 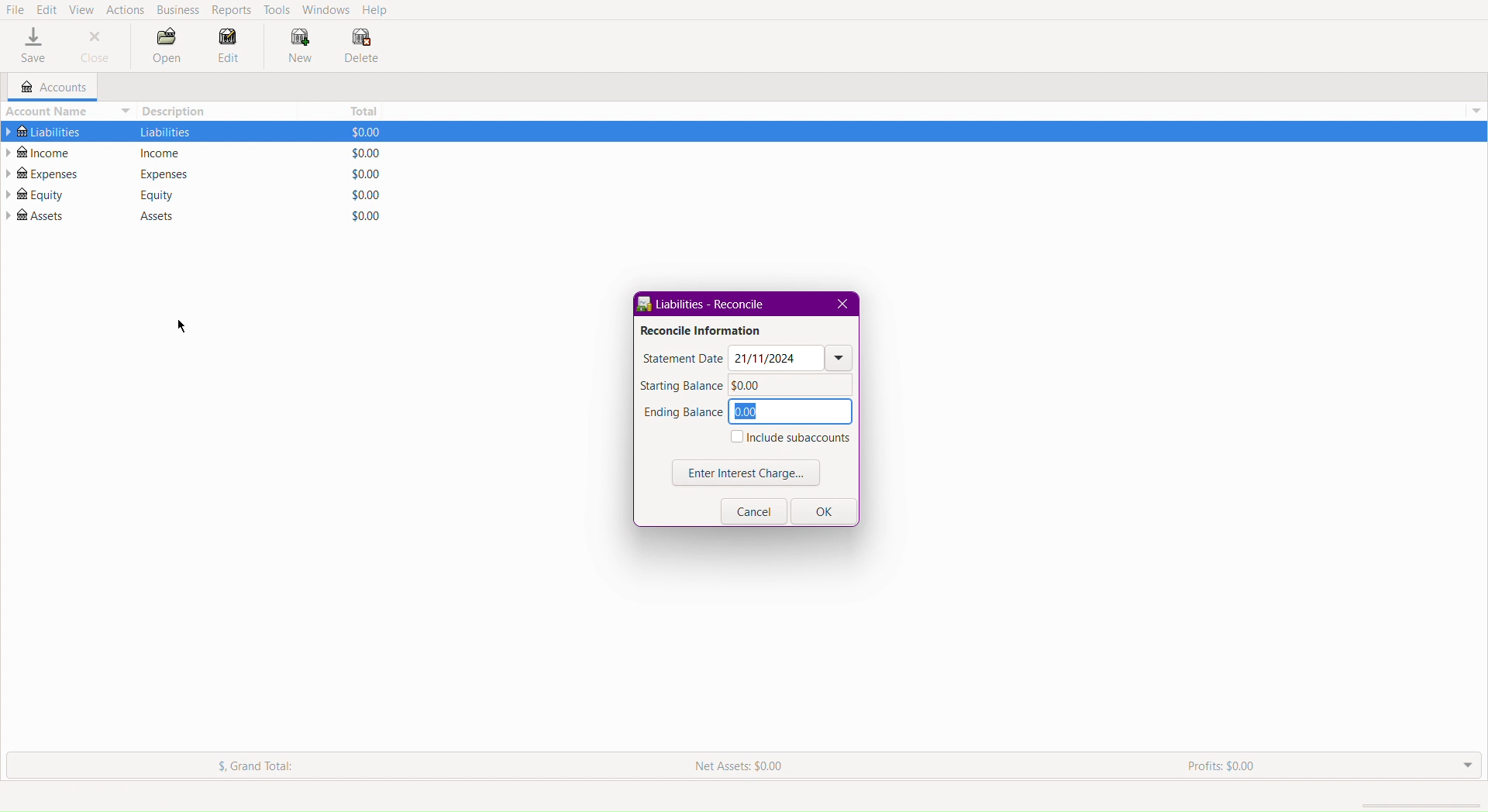 I want to click on Income, so click(x=40, y=153).